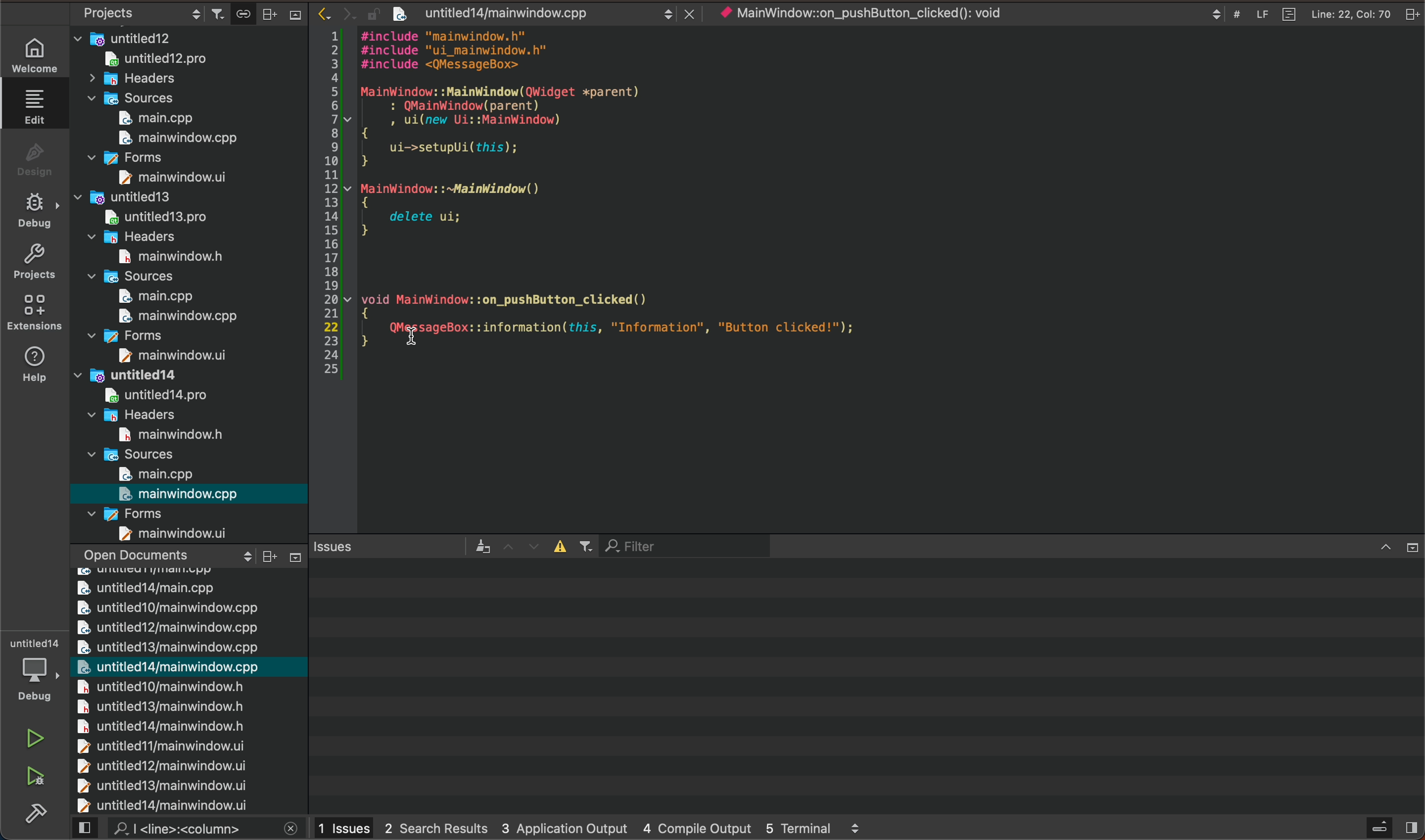 The image size is (1425, 840). Describe the element at coordinates (133, 98) in the screenshot. I see `sources` at that location.